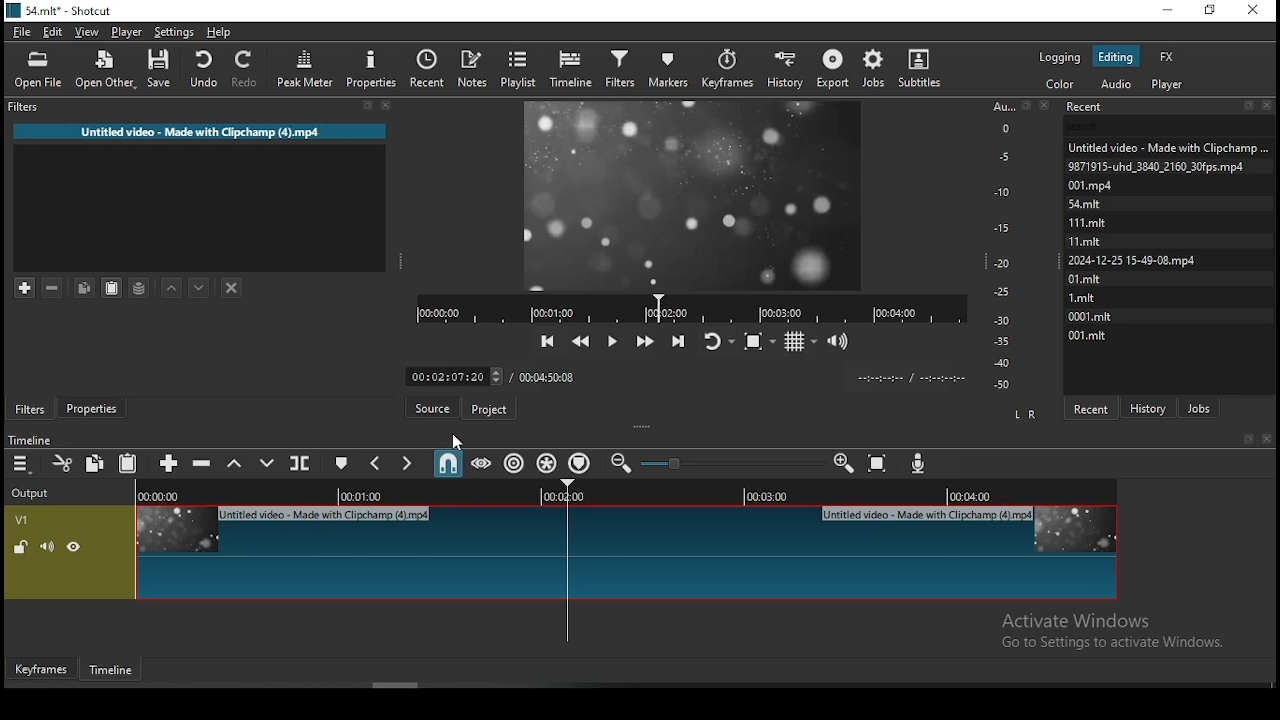  I want to click on zoom timeline to fit, so click(879, 464).